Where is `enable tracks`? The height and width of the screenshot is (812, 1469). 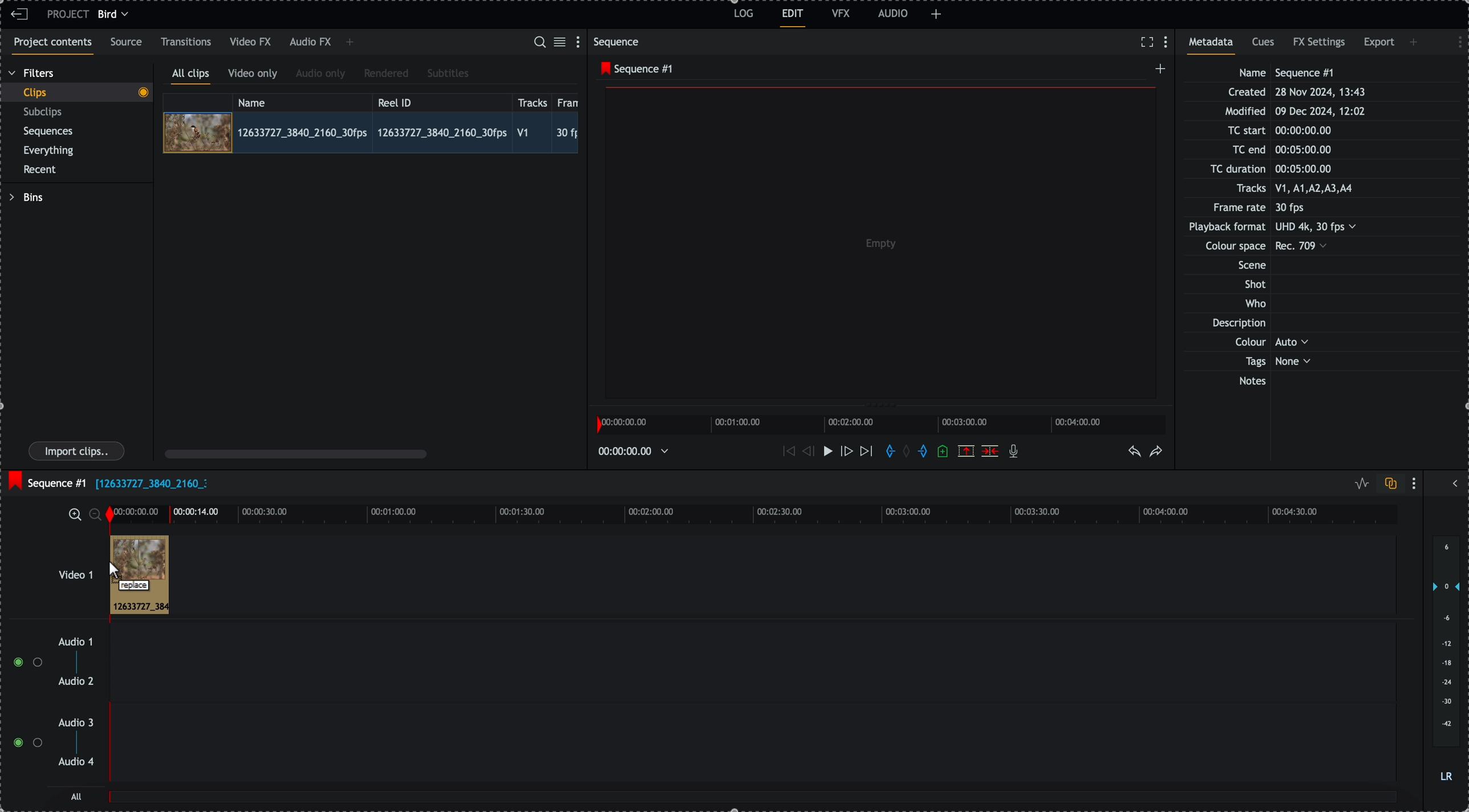
enable tracks is located at coordinates (23, 703).